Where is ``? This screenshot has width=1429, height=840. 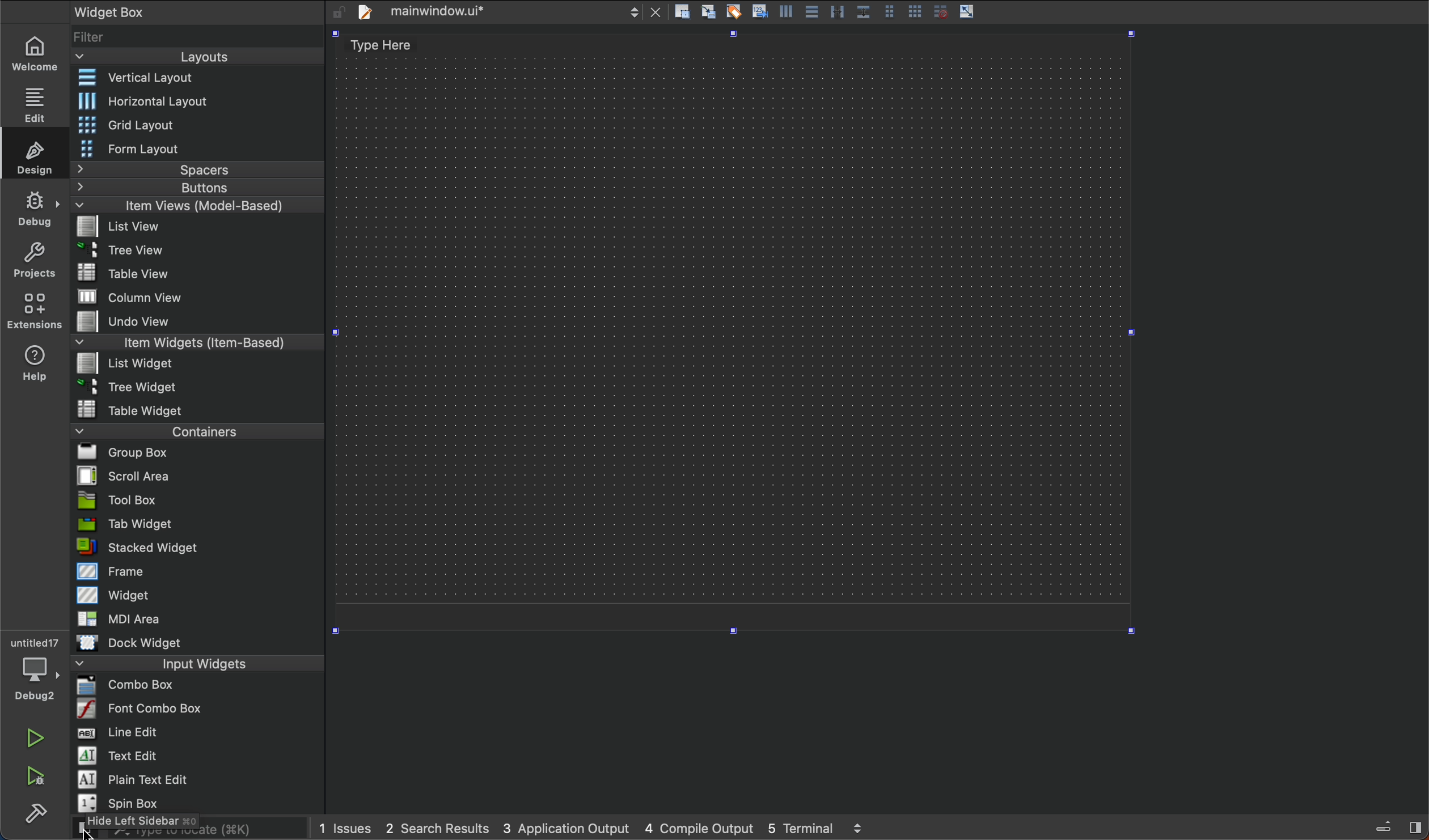  is located at coordinates (787, 11).